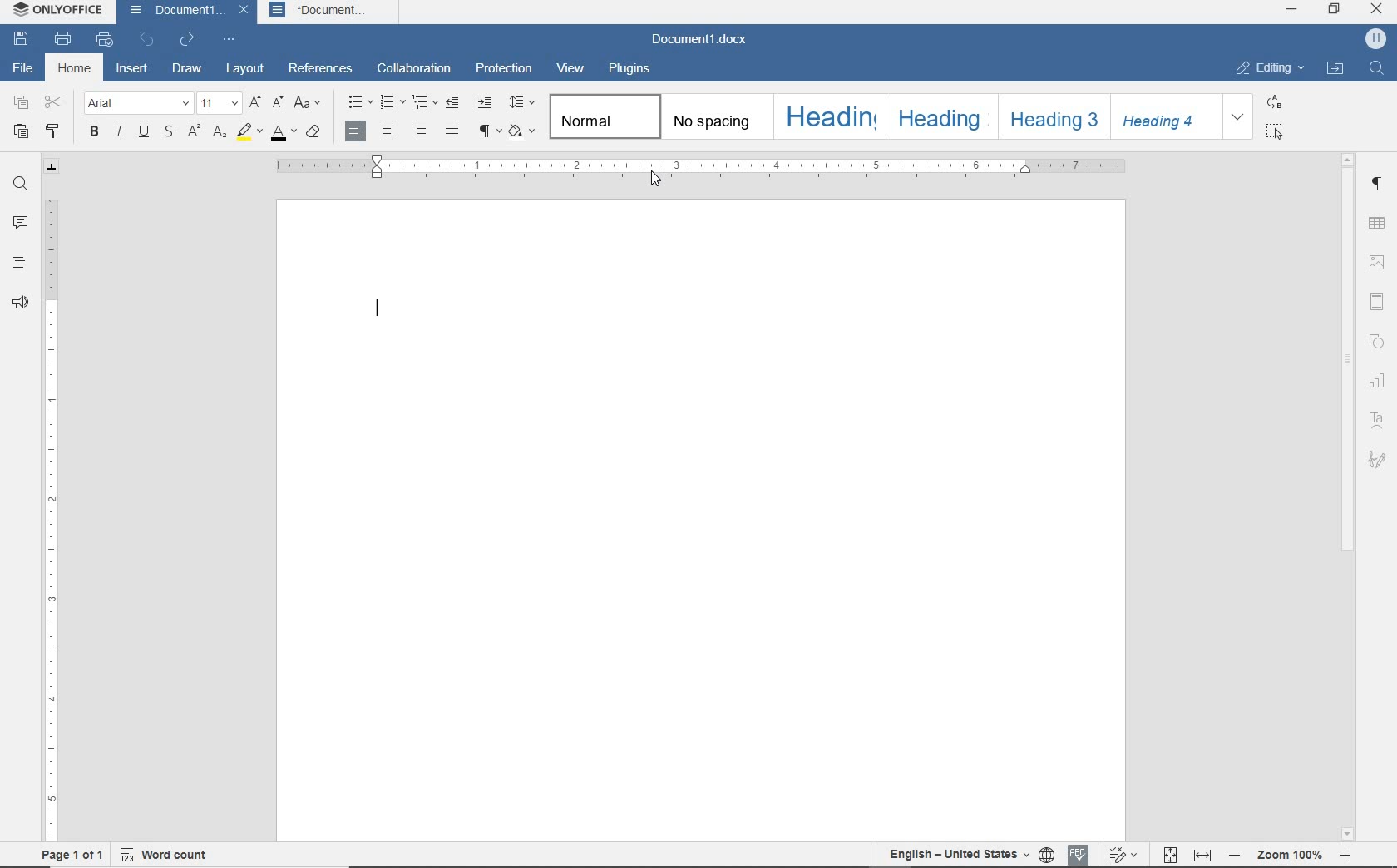  Describe the element at coordinates (357, 131) in the screenshot. I see `ALIGN LEFT` at that location.